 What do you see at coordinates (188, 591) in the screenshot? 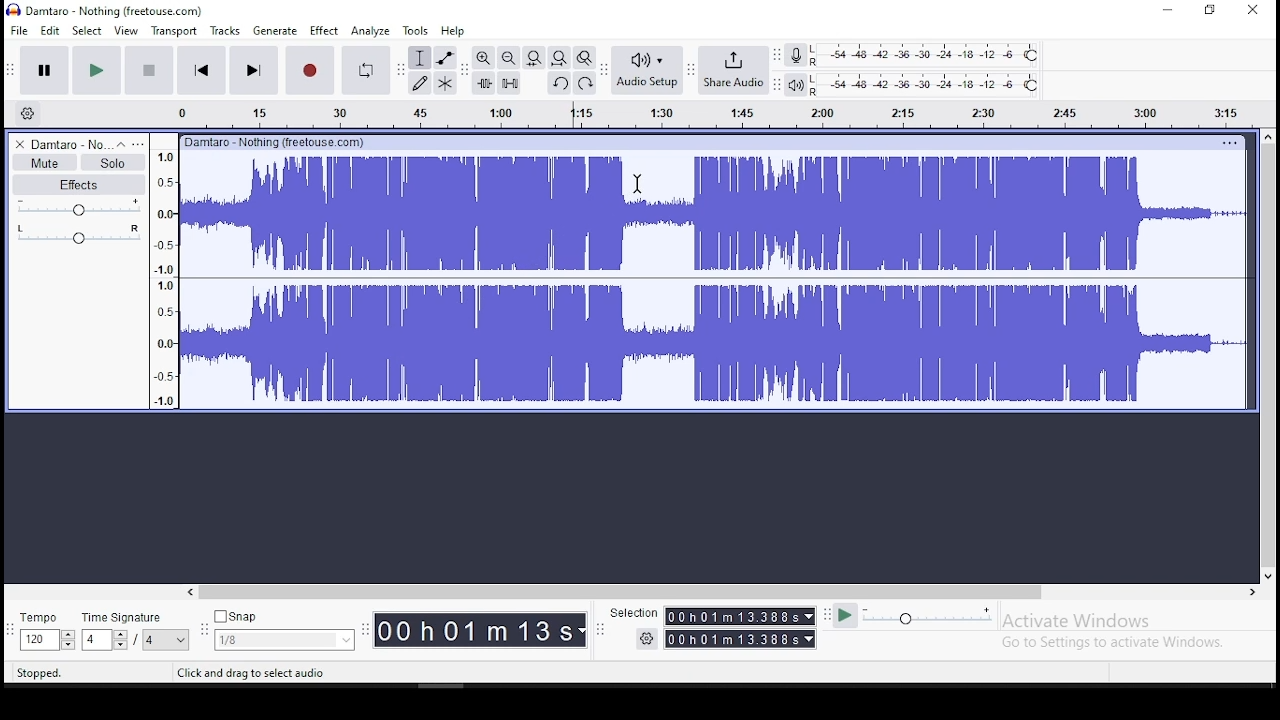
I see `scroll left` at bounding box center [188, 591].